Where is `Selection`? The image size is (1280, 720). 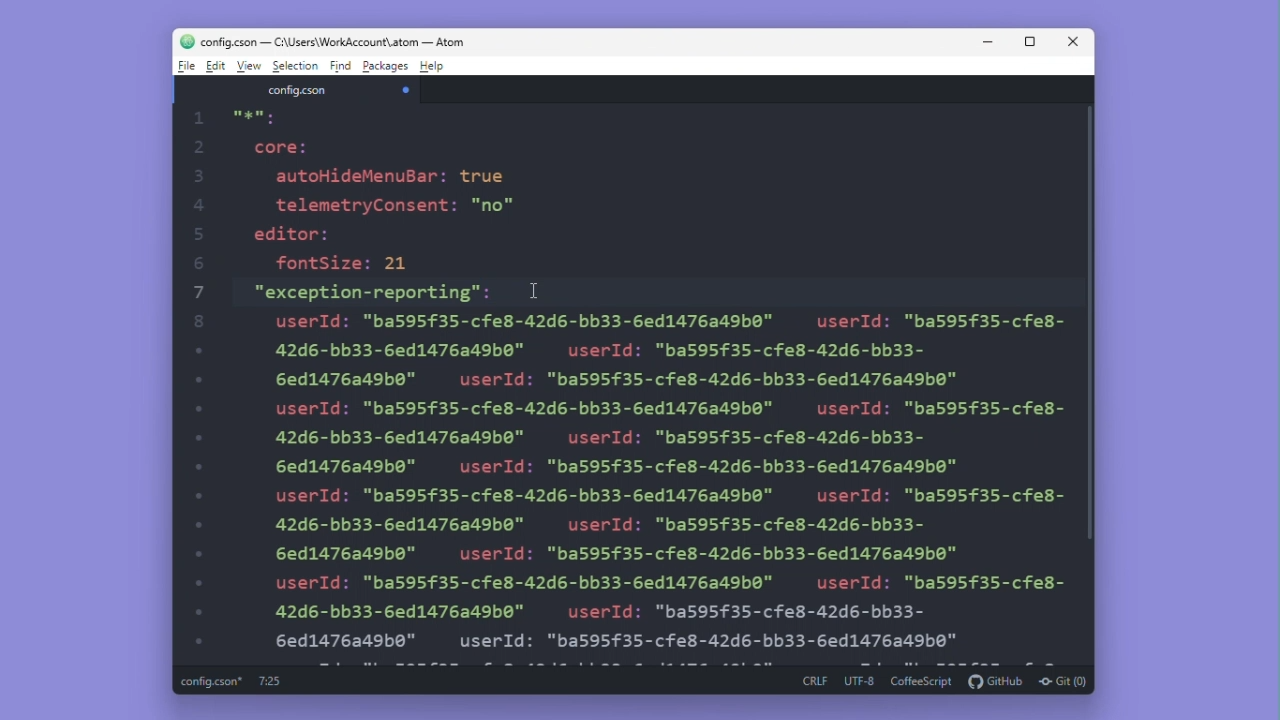
Selection is located at coordinates (297, 66).